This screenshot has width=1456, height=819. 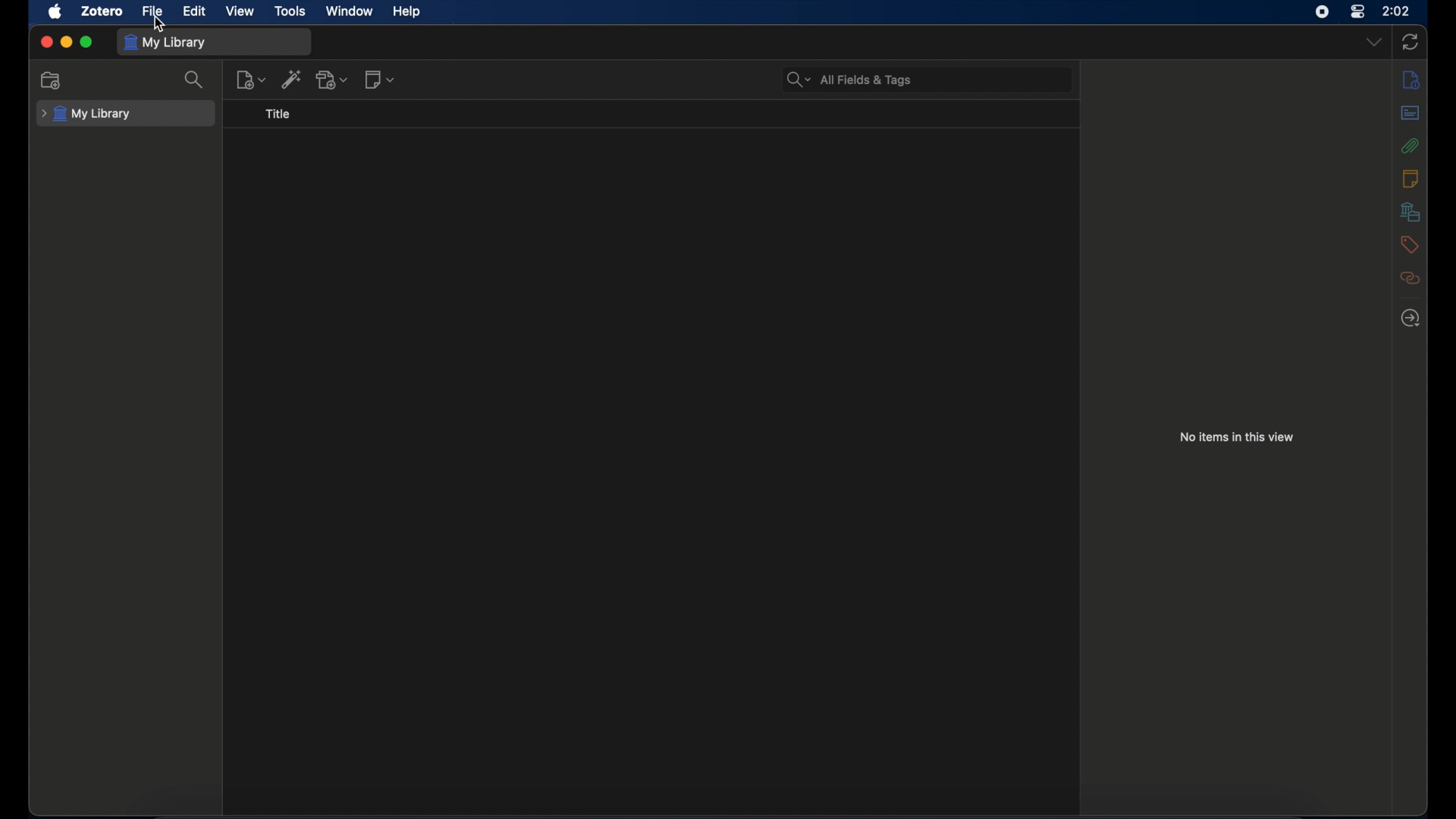 What do you see at coordinates (290, 10) in the screenshot?
I see `tools` at bounding box center [290, 10].